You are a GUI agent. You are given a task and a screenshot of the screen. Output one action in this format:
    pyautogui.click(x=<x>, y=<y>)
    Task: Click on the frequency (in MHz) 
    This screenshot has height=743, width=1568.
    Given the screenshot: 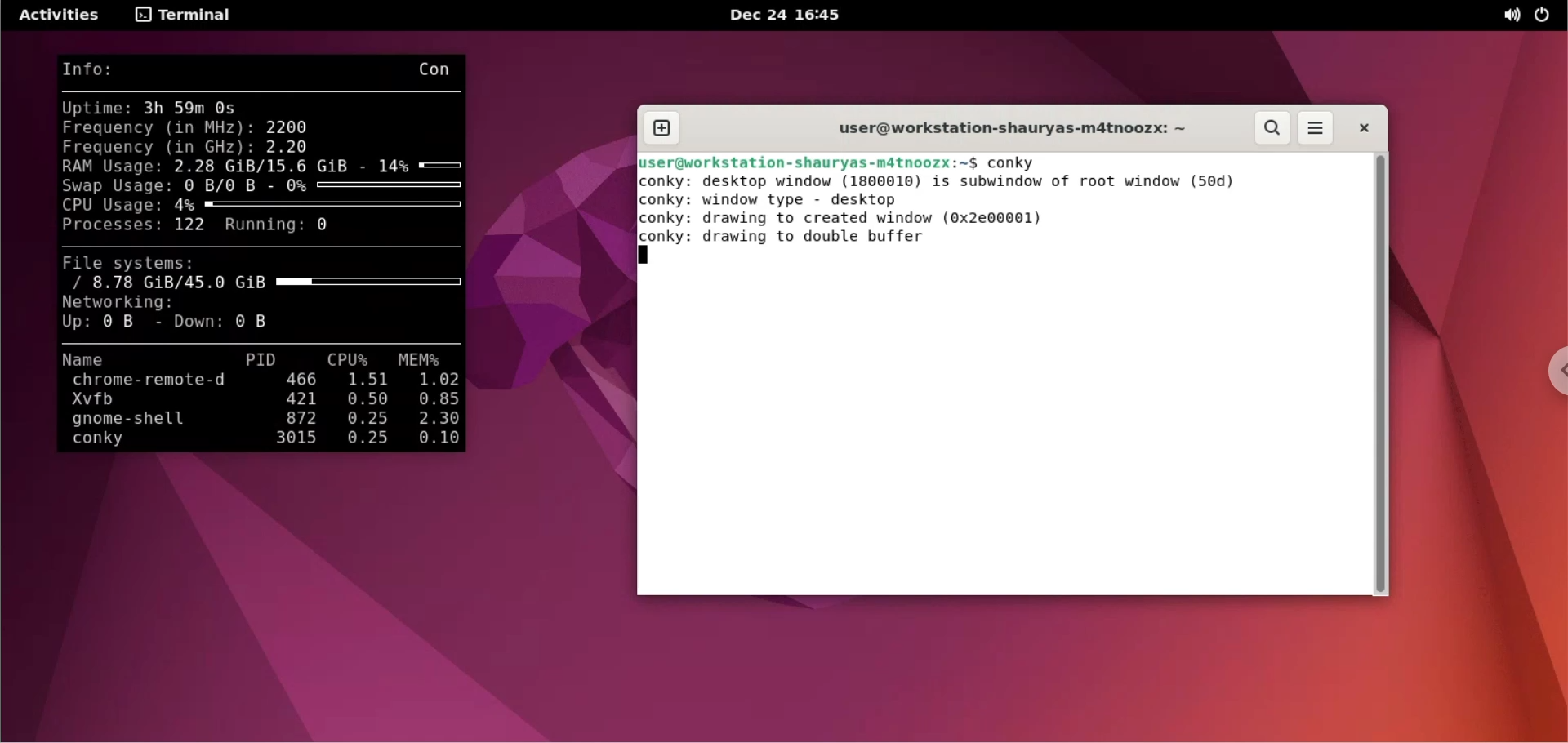 What is the action you would take?
    pyautogui.click(x=158, y=127)
    